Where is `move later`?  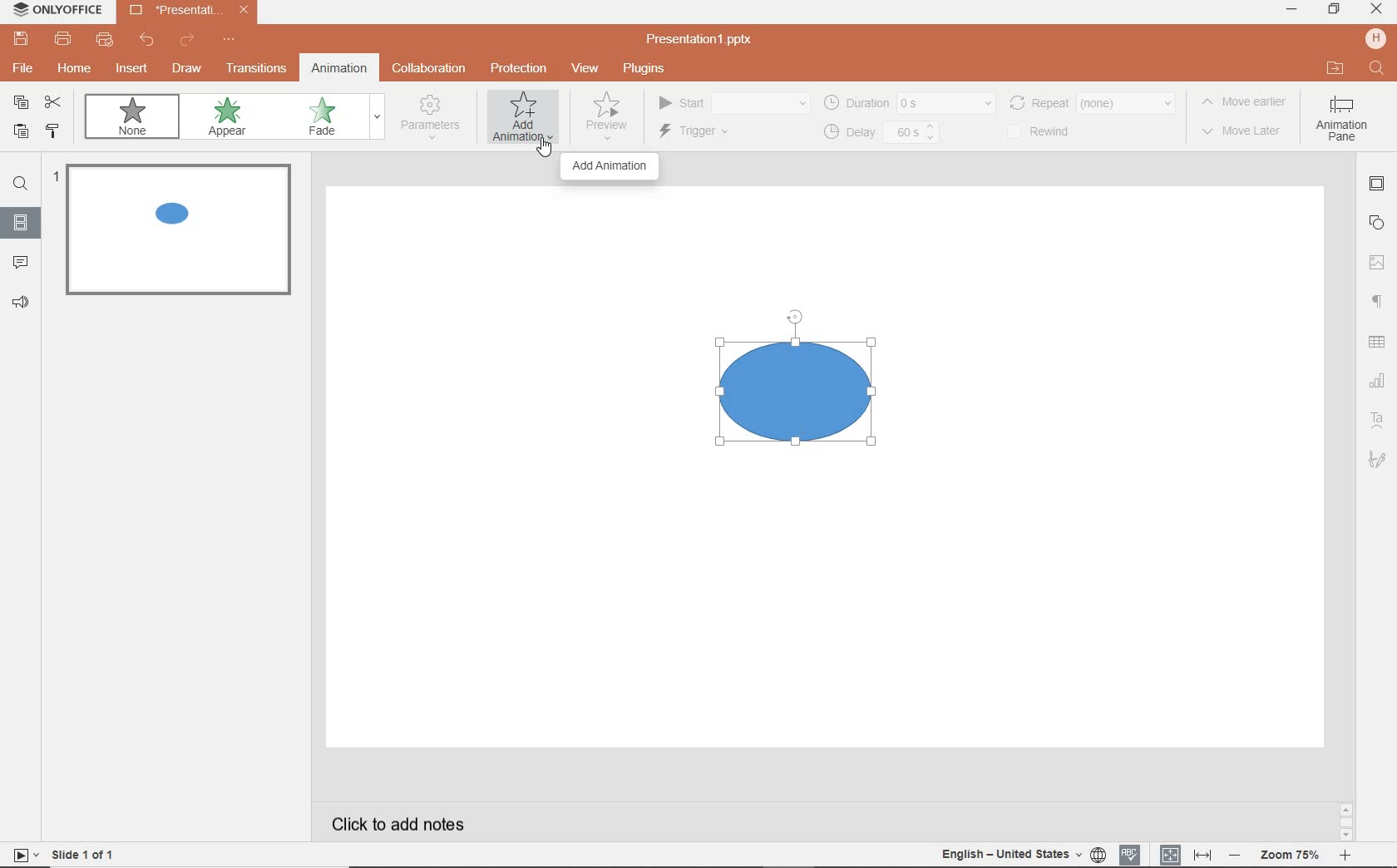
move later is located at coordinates (1246, 132).